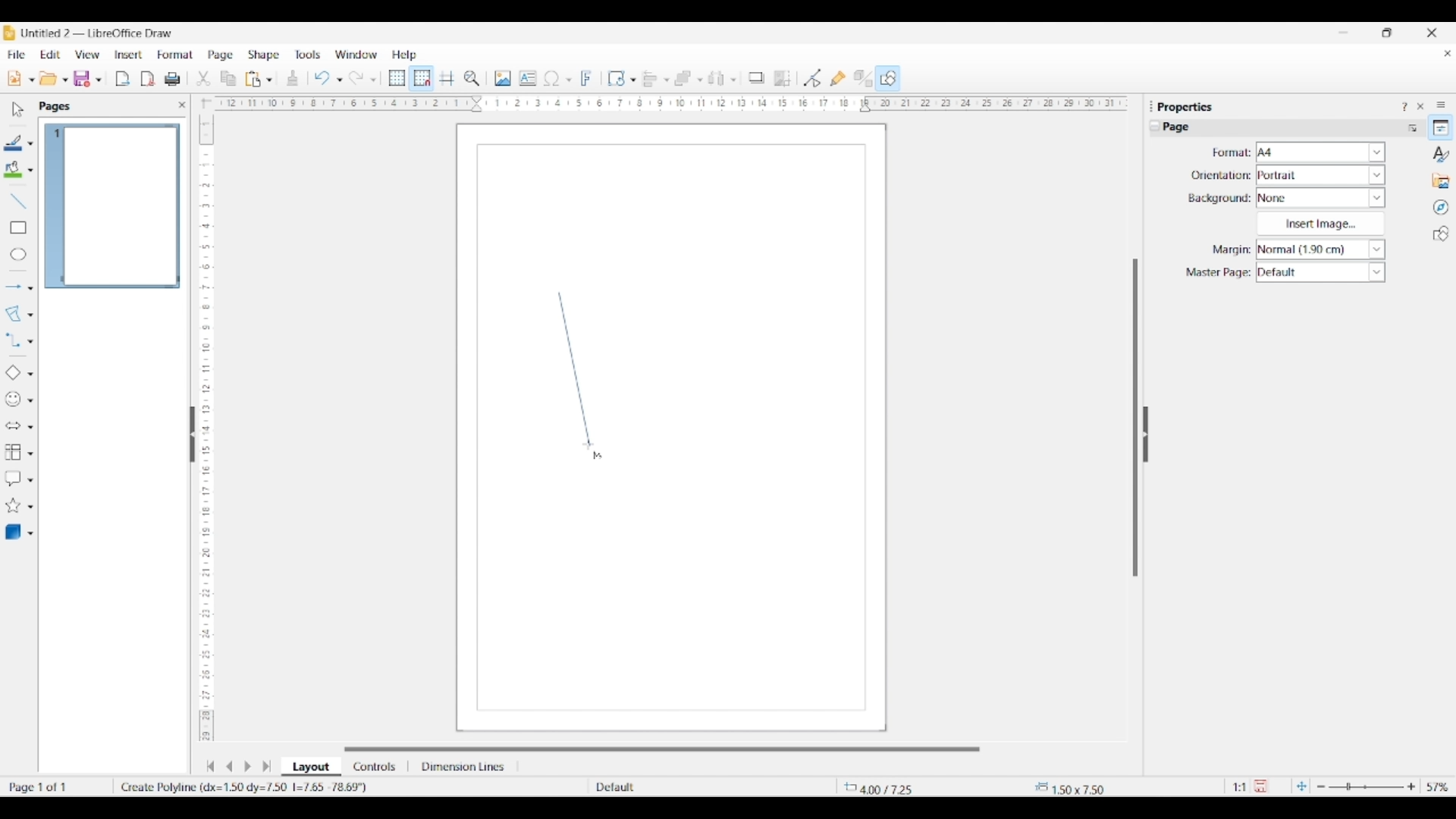  Describe the element at coordinates (123, 79) in the screenshot. I see `Export` at that location.